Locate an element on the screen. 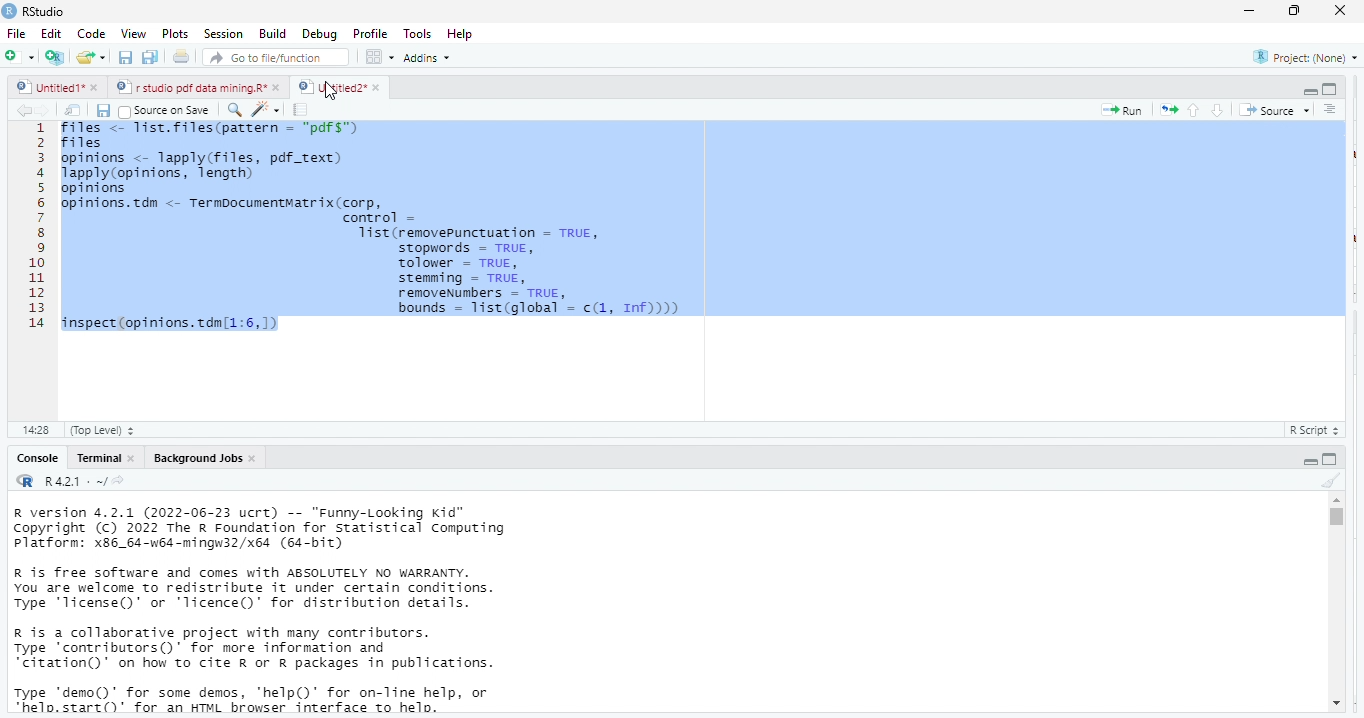  close is located at coordinates (278, 88).